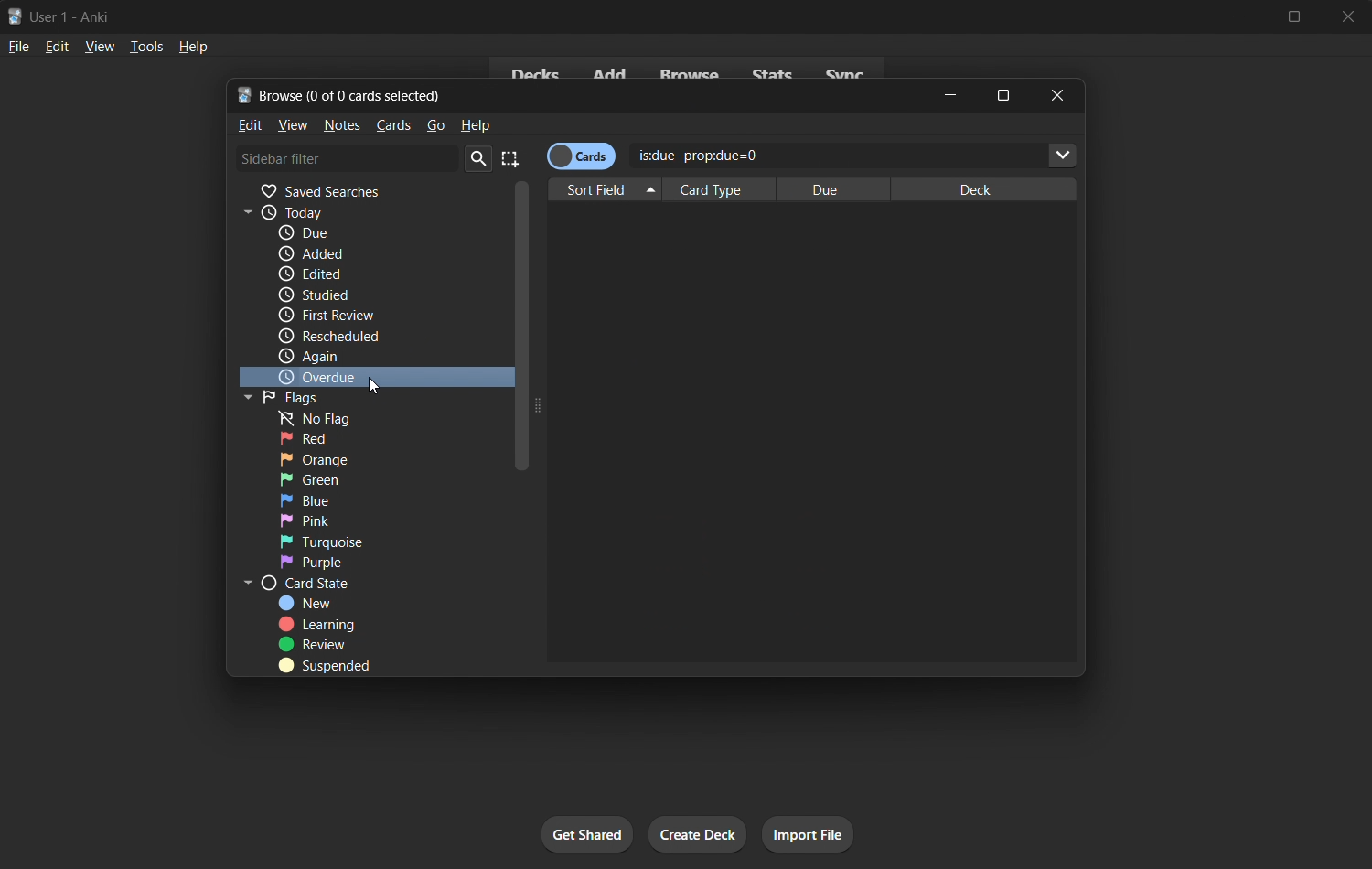  I want to click on rescheduled, so click(341, 337).